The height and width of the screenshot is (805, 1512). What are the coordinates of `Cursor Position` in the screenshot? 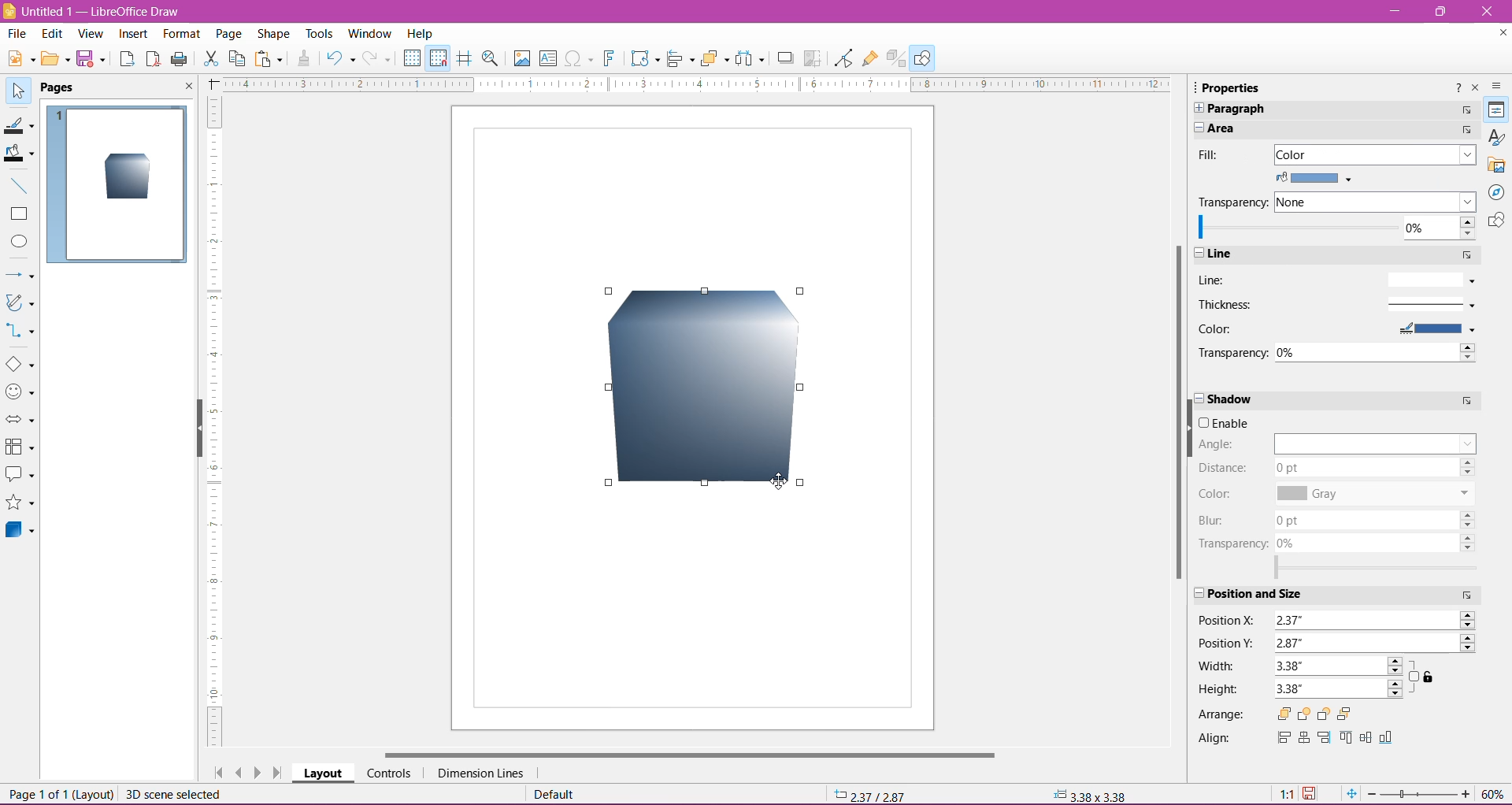 It's located at (871, 793).